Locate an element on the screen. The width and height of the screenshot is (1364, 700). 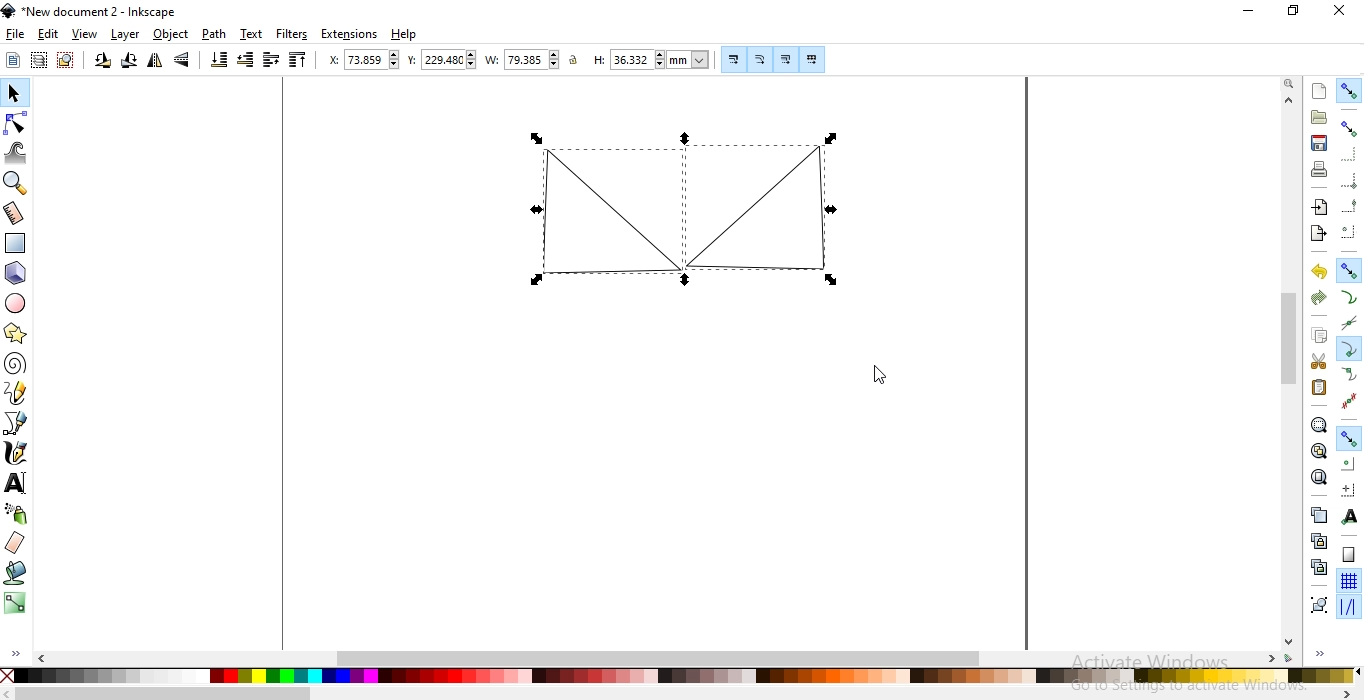
vertical coordinate of selection is located at coordinates (444, 59).